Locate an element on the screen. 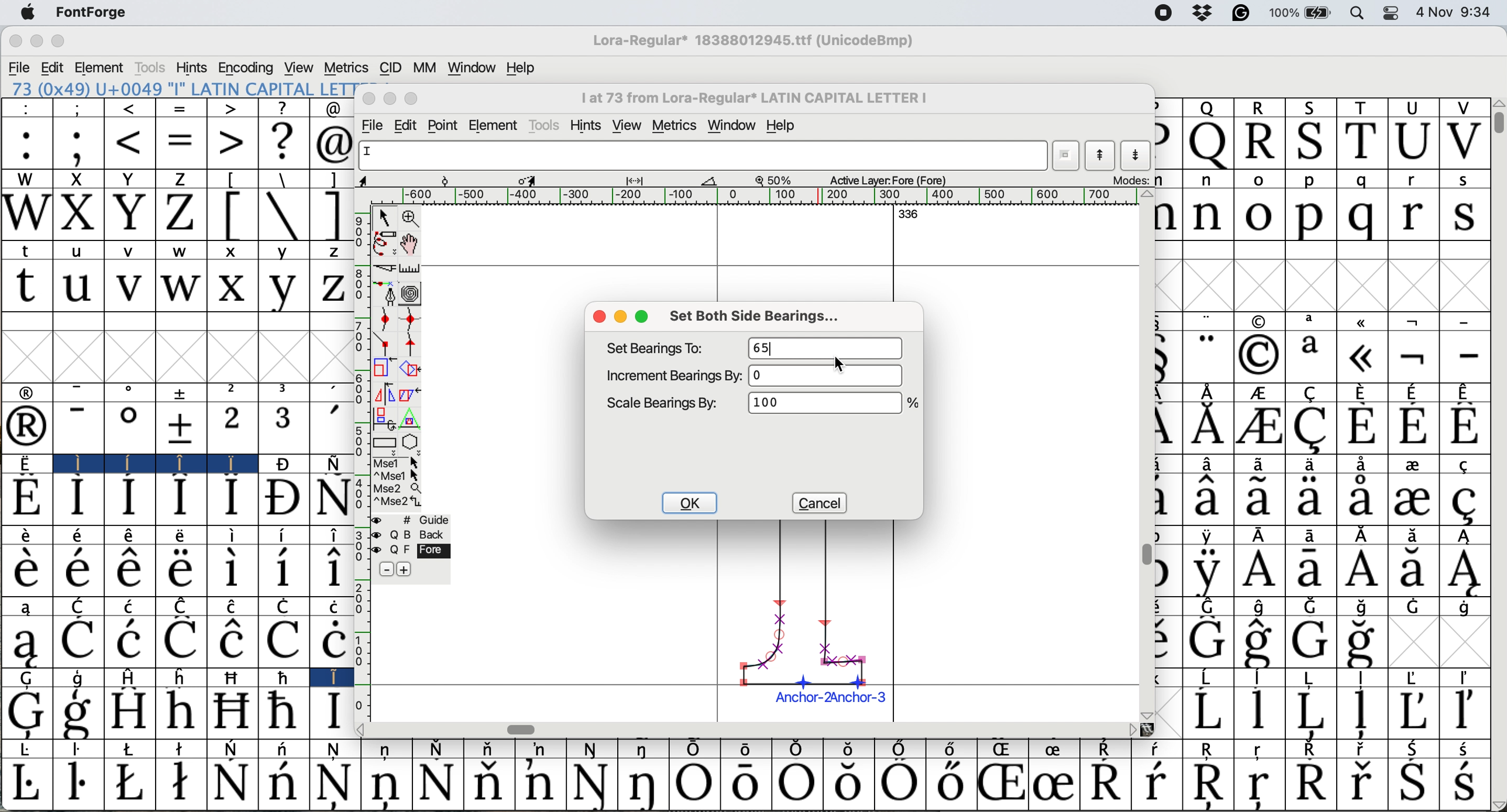 Image resolution: width=1507 pixels, height=812 pixels. Symbol is located at coordinates (1312, 571).